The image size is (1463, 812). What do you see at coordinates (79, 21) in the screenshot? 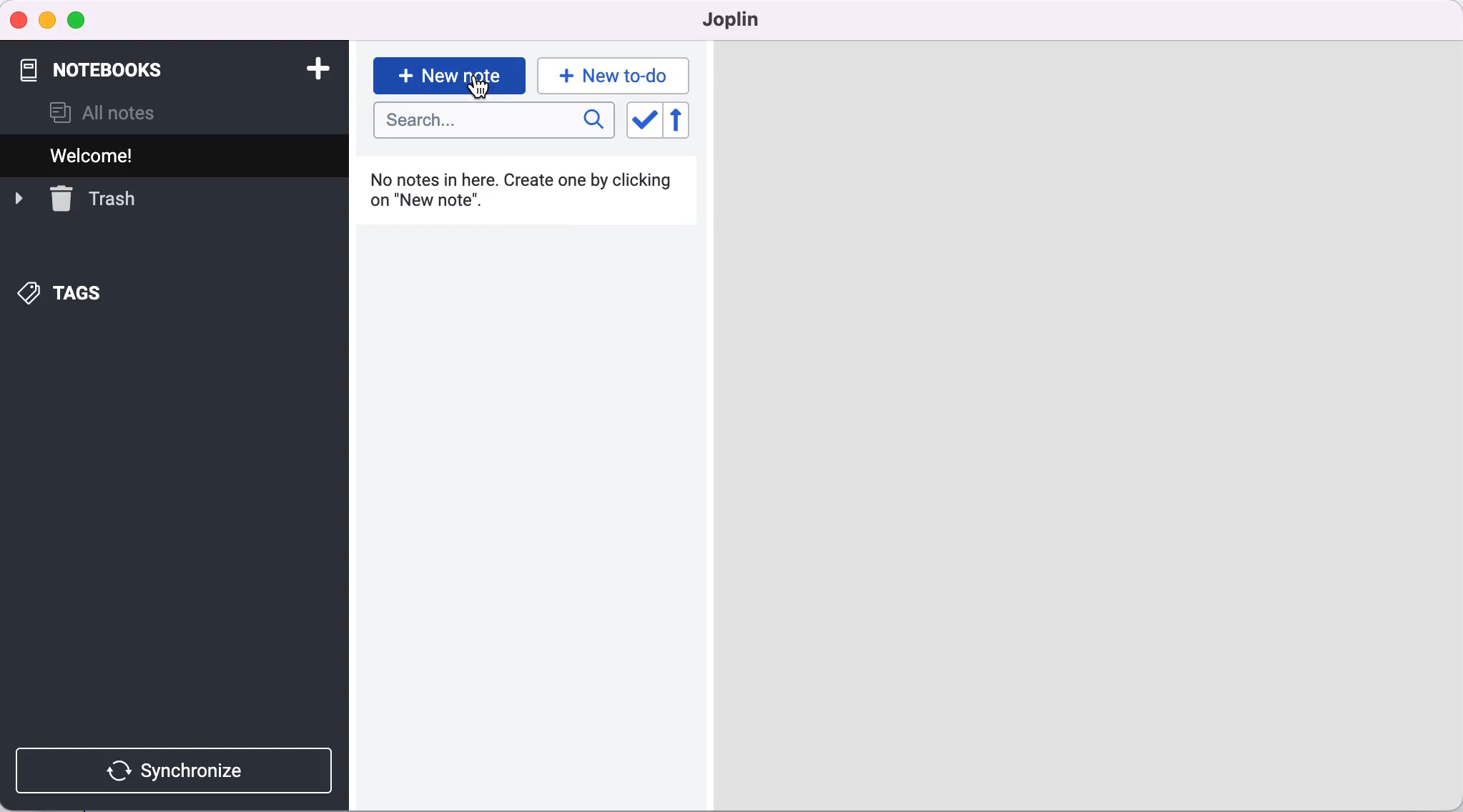
I see `maximize` at bounding box center [79, 21].